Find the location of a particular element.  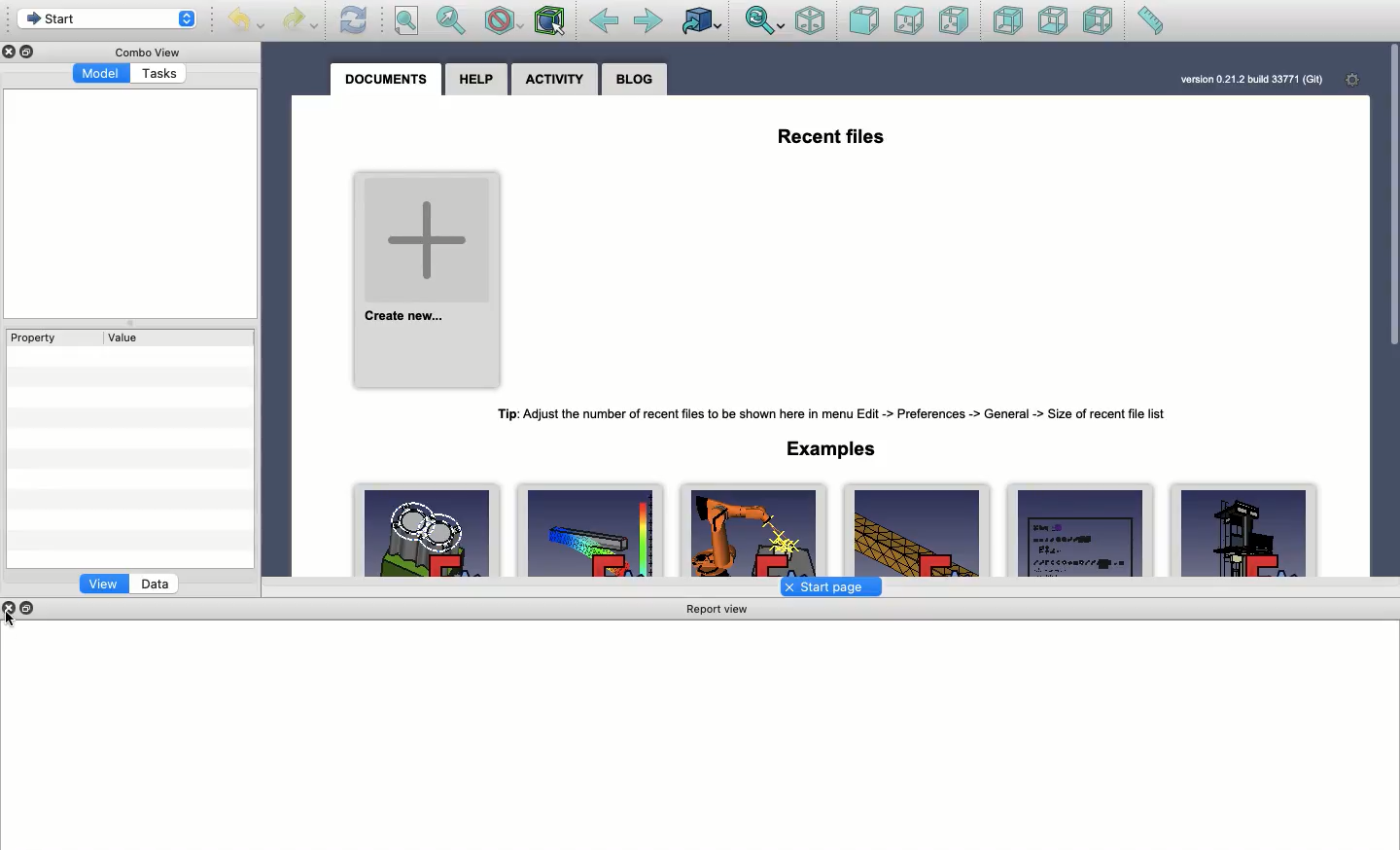

Blog is located at coordinates (635, 79).